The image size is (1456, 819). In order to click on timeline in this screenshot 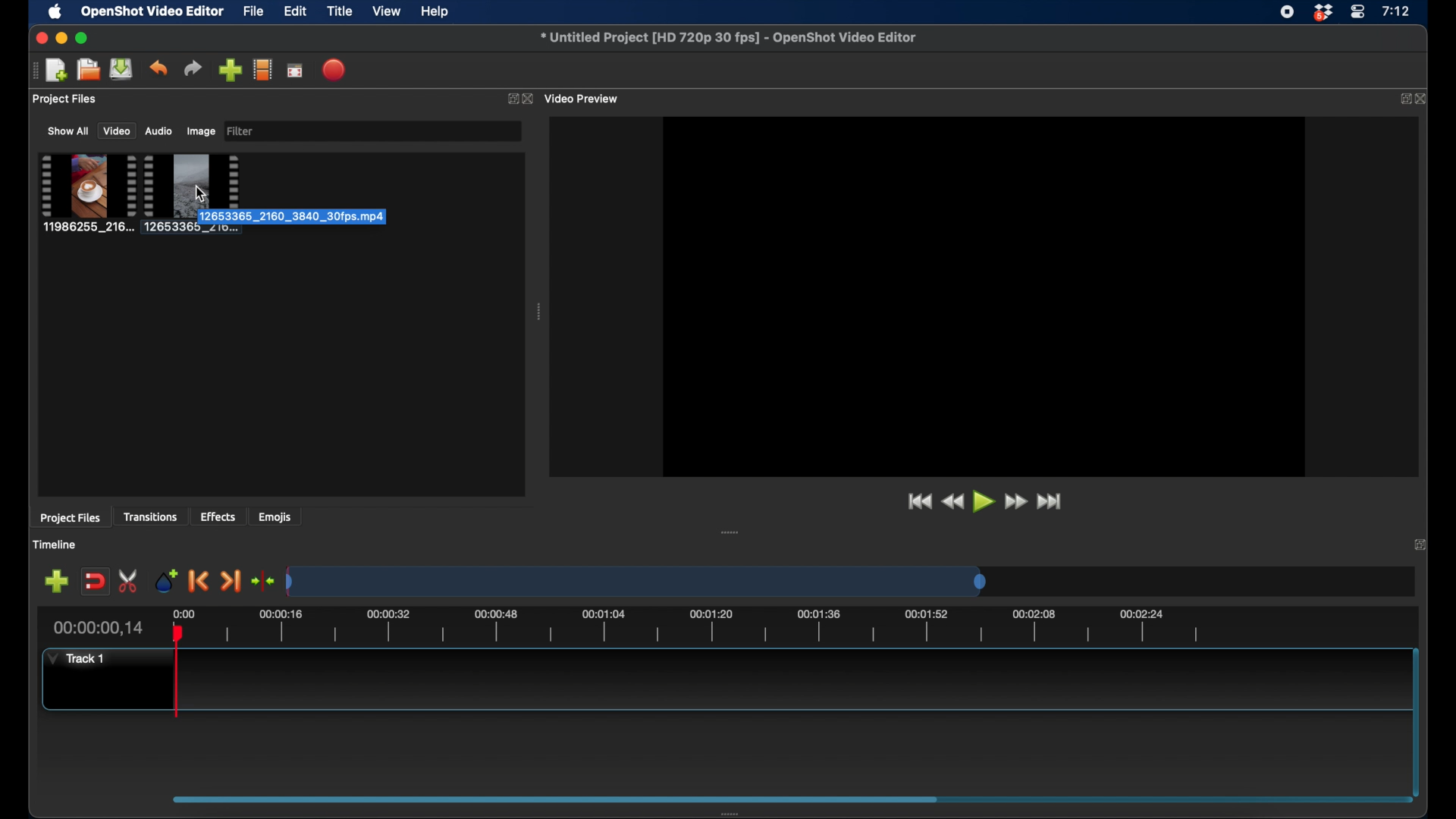, I will do `click(707, 629)`.